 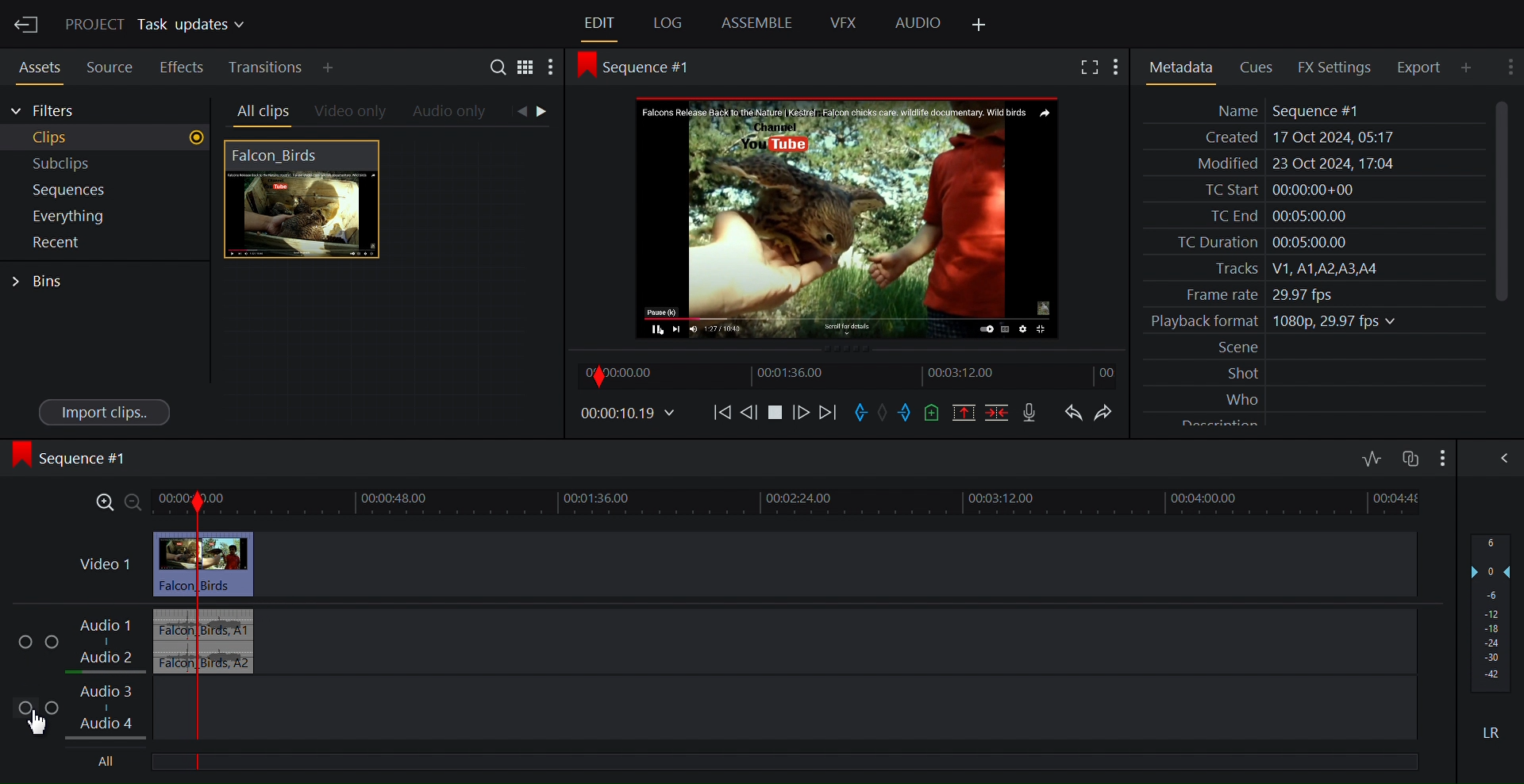 What do you see at coordinates (625, 413) in the screenshot?
I see `Timecodes and reels` at bounding box center [625, 413].